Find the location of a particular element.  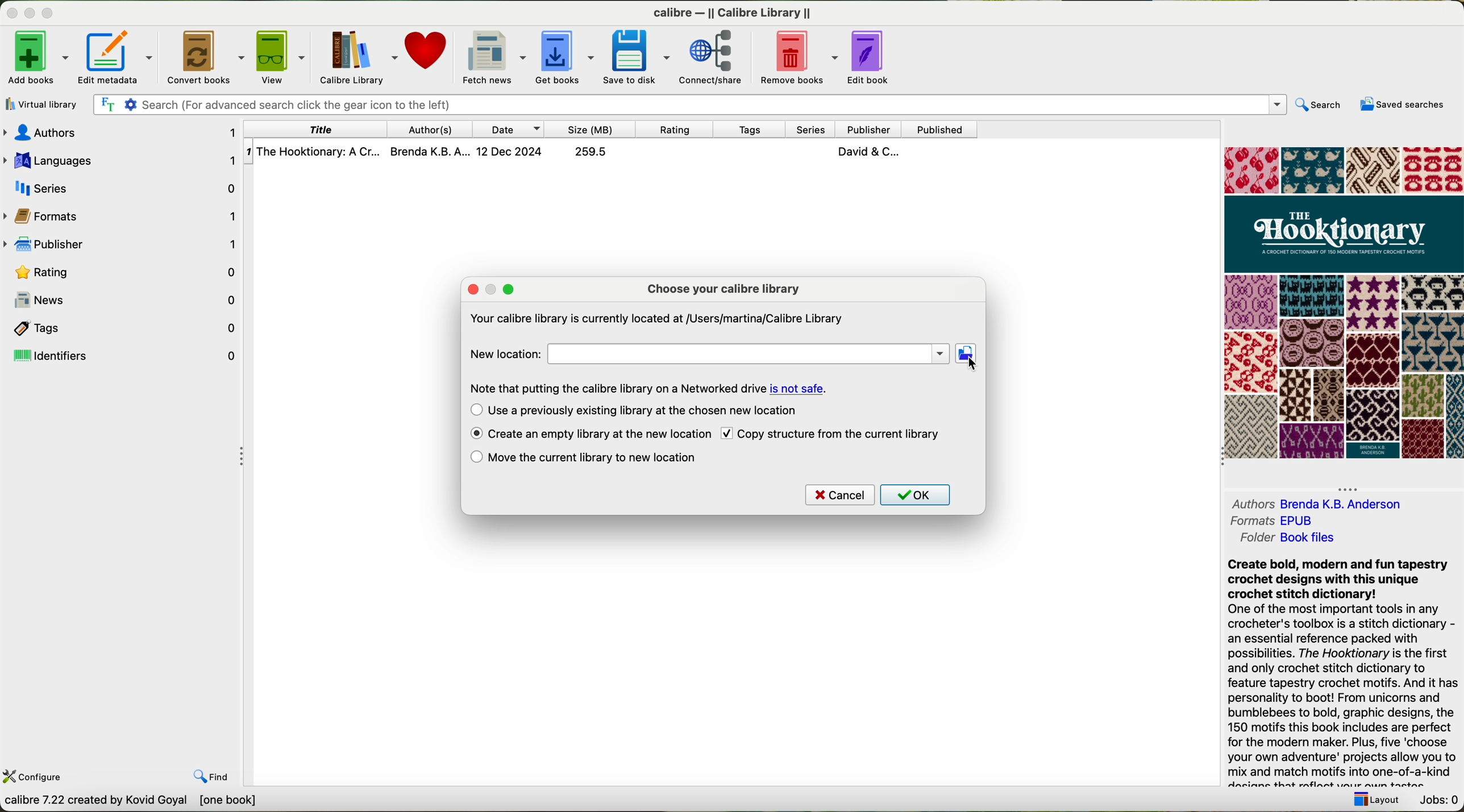

Settings is located at coordinates (132, 104).